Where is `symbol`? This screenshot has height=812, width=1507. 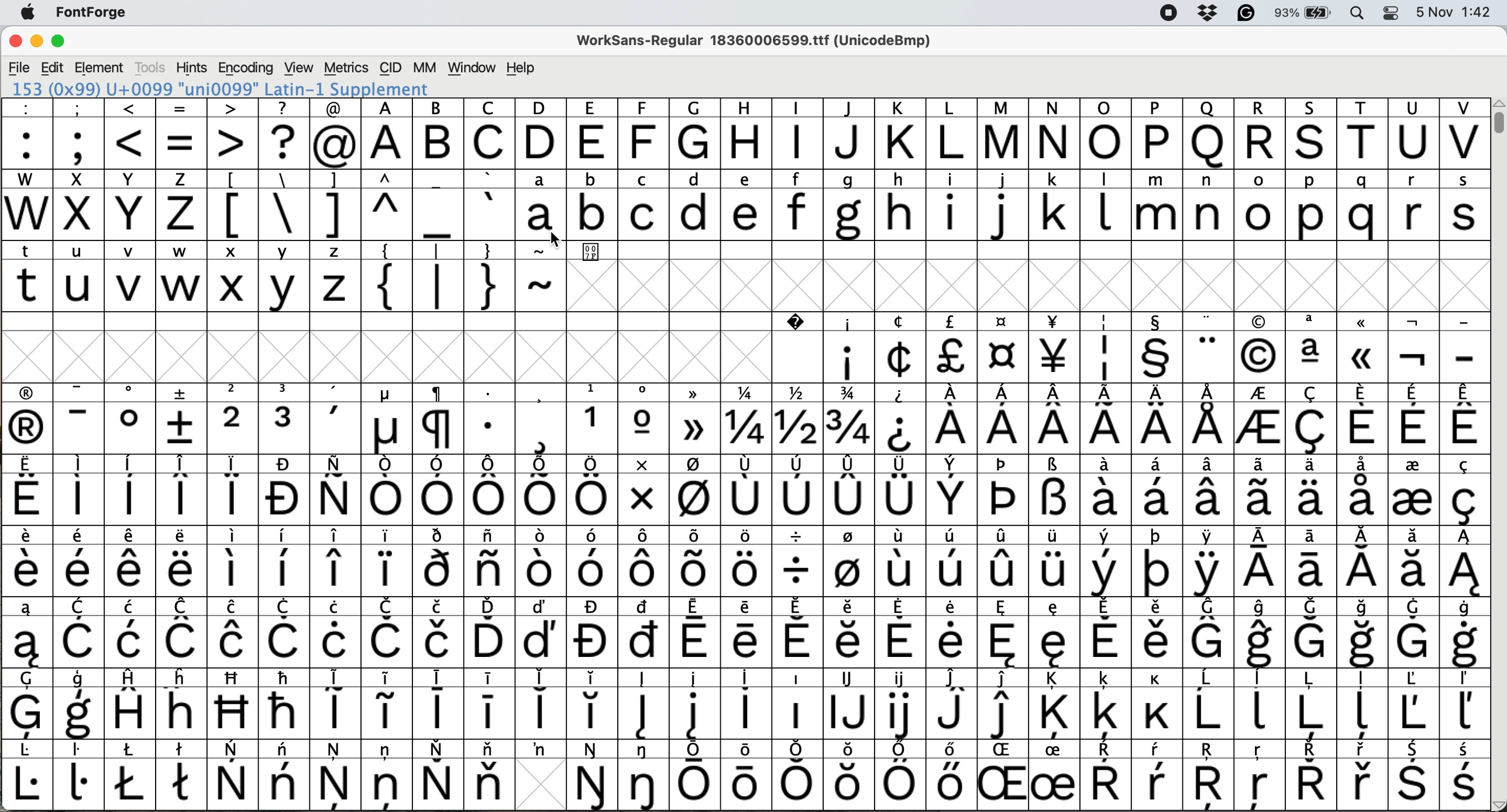
symbol is located at coordinates (1105, 632).